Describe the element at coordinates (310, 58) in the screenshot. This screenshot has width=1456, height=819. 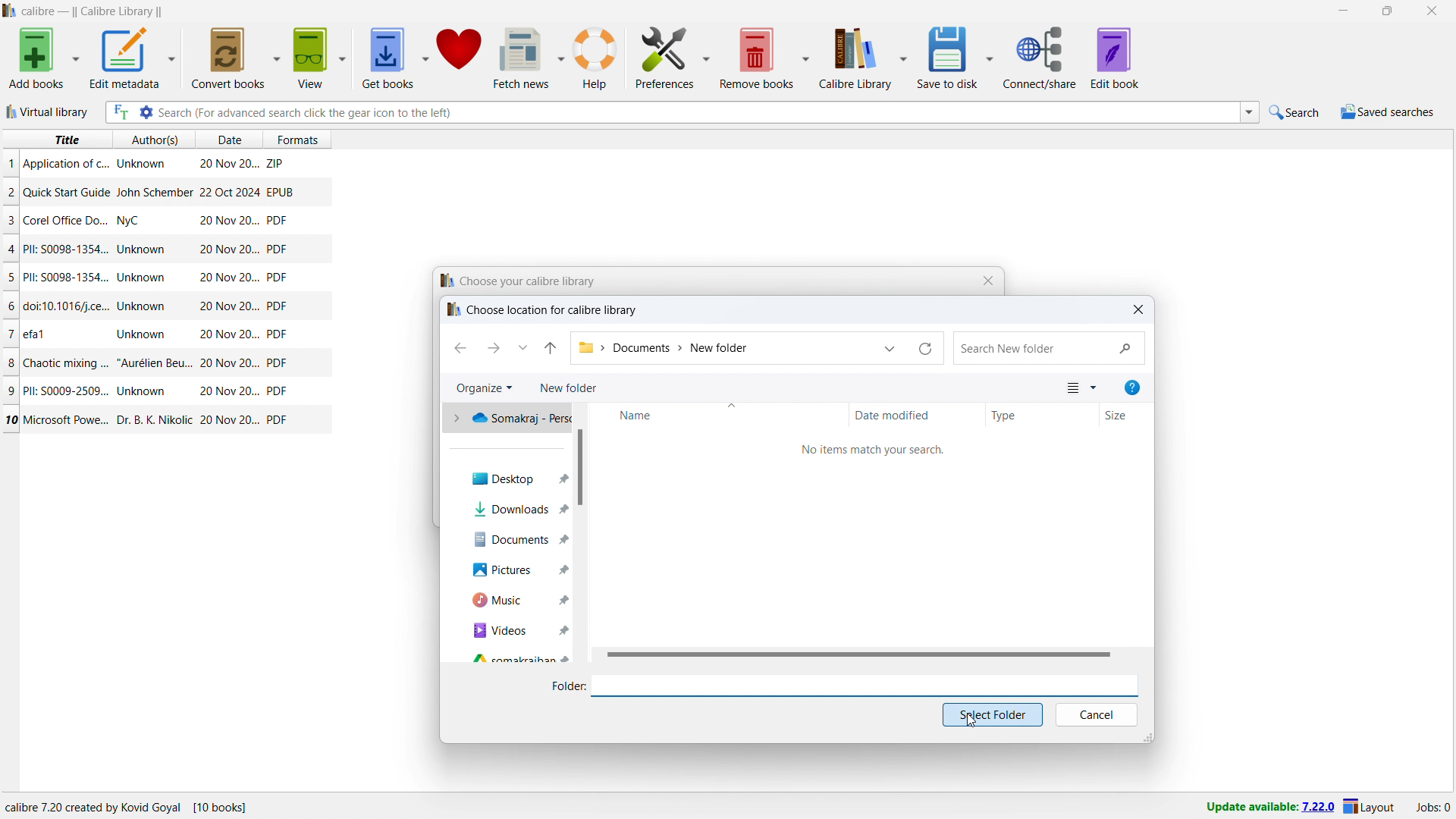
I see `view` at that location.